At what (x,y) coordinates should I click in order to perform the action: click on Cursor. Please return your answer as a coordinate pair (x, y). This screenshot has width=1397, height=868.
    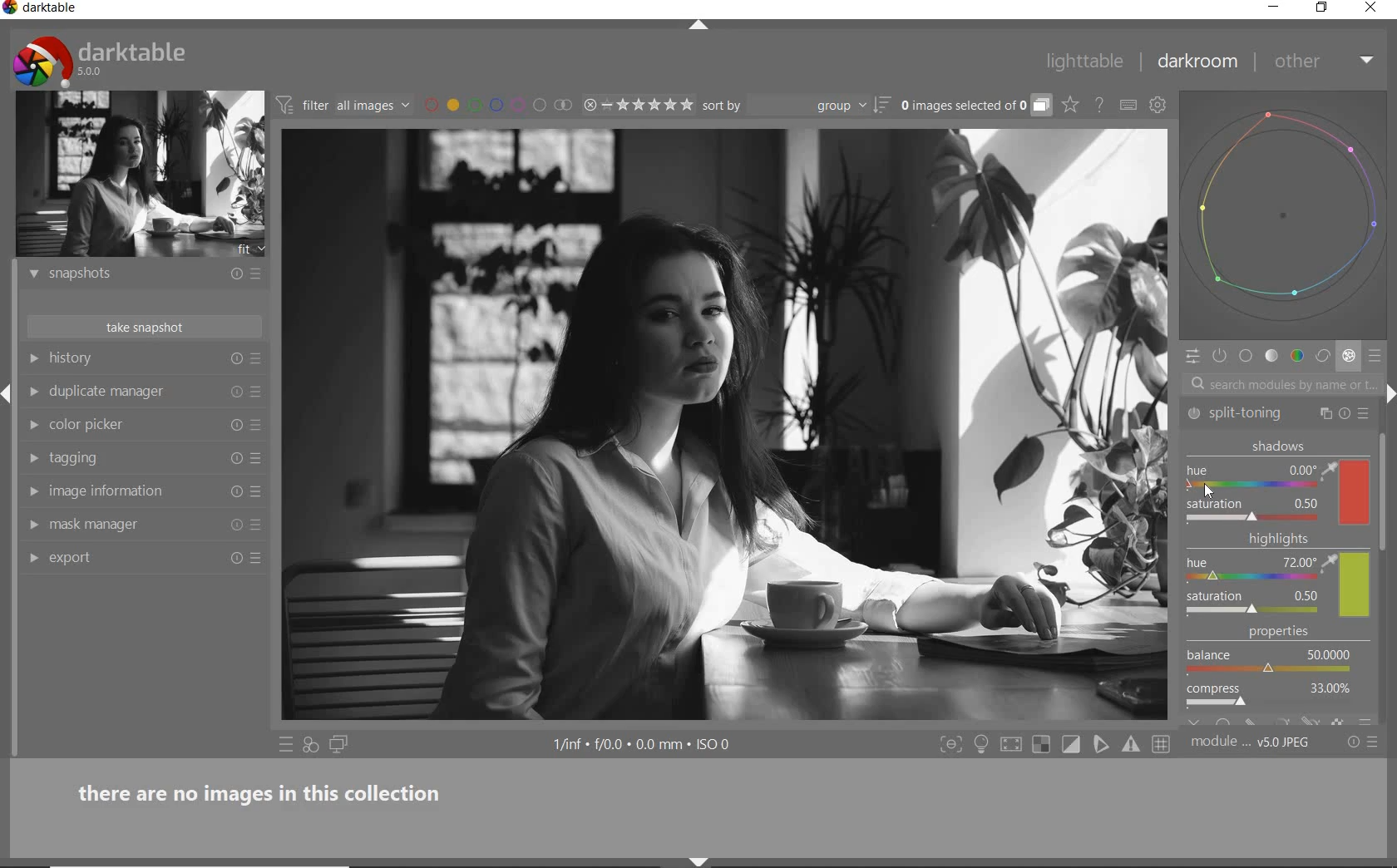
    Looking at the image, I should click on (1213, 489).